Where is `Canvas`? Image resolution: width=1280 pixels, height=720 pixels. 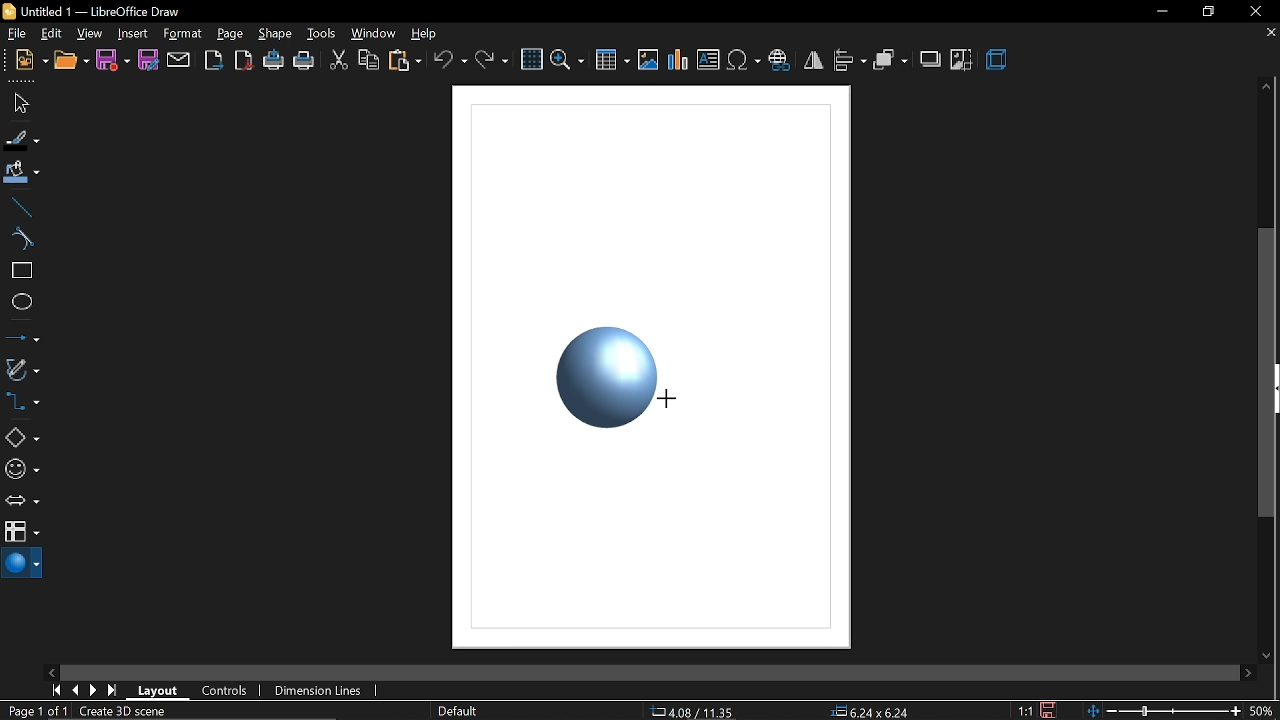 Canvas is located at coordinates (649, 562).